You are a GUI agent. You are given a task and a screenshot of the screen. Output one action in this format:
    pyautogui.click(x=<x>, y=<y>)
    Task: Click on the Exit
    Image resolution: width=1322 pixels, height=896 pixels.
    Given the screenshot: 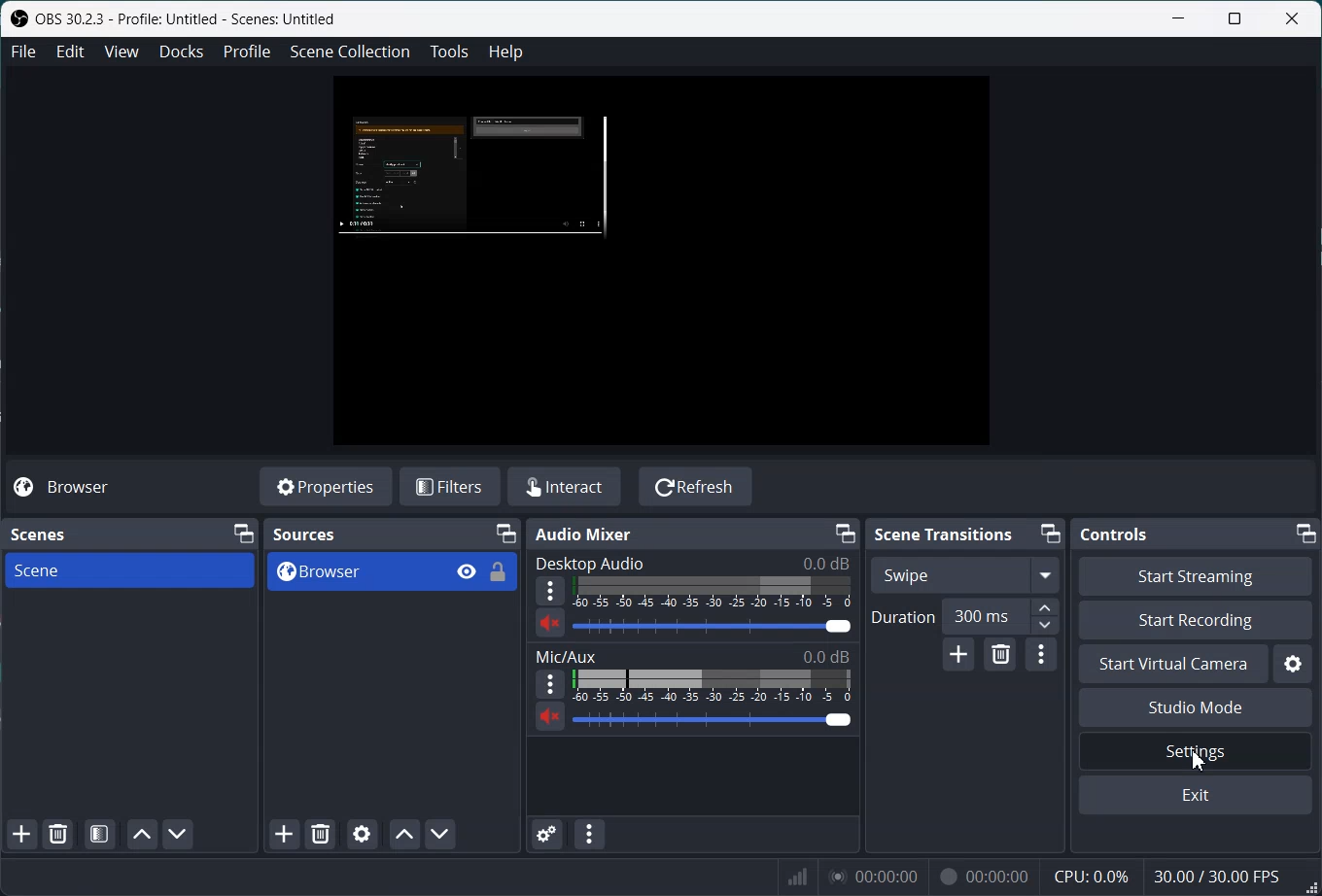 What is the action you would take?
    pyautogui.click(x=1197, y=794)
    